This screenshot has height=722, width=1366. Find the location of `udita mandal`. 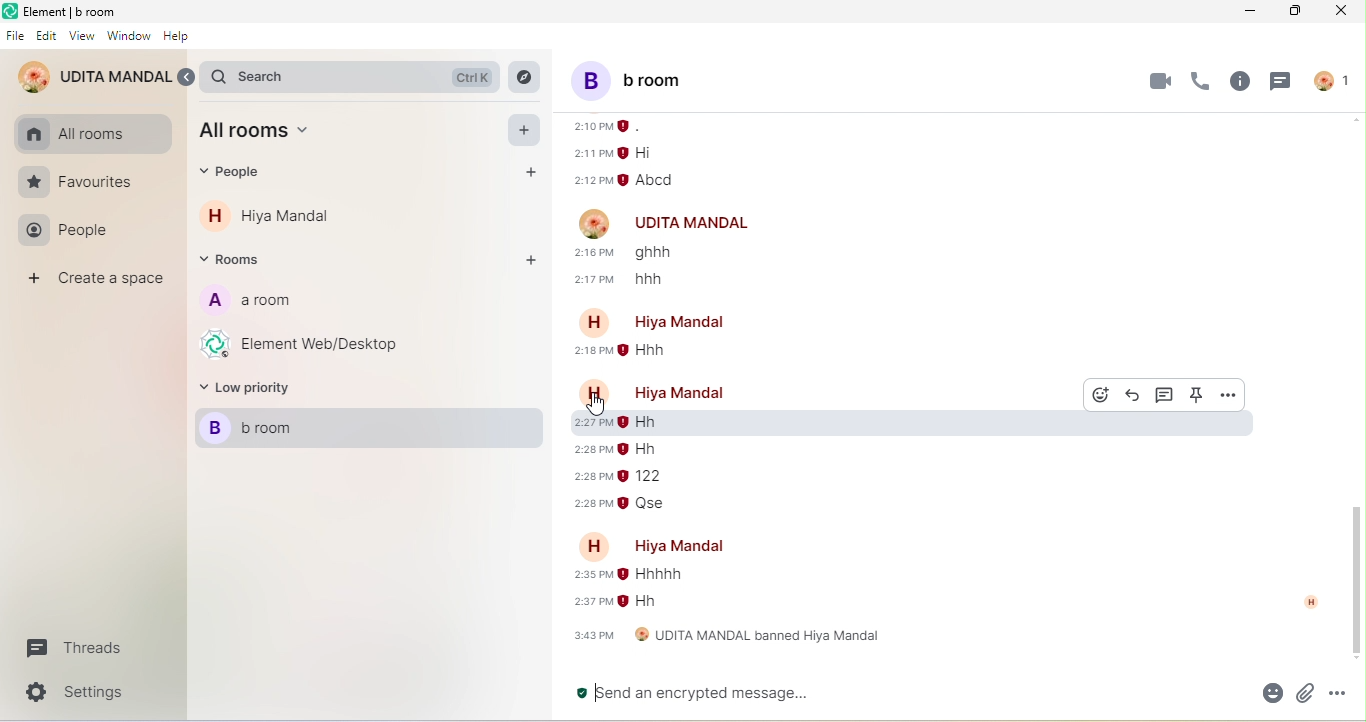

udita mandal is located at coordinates (695, 224).